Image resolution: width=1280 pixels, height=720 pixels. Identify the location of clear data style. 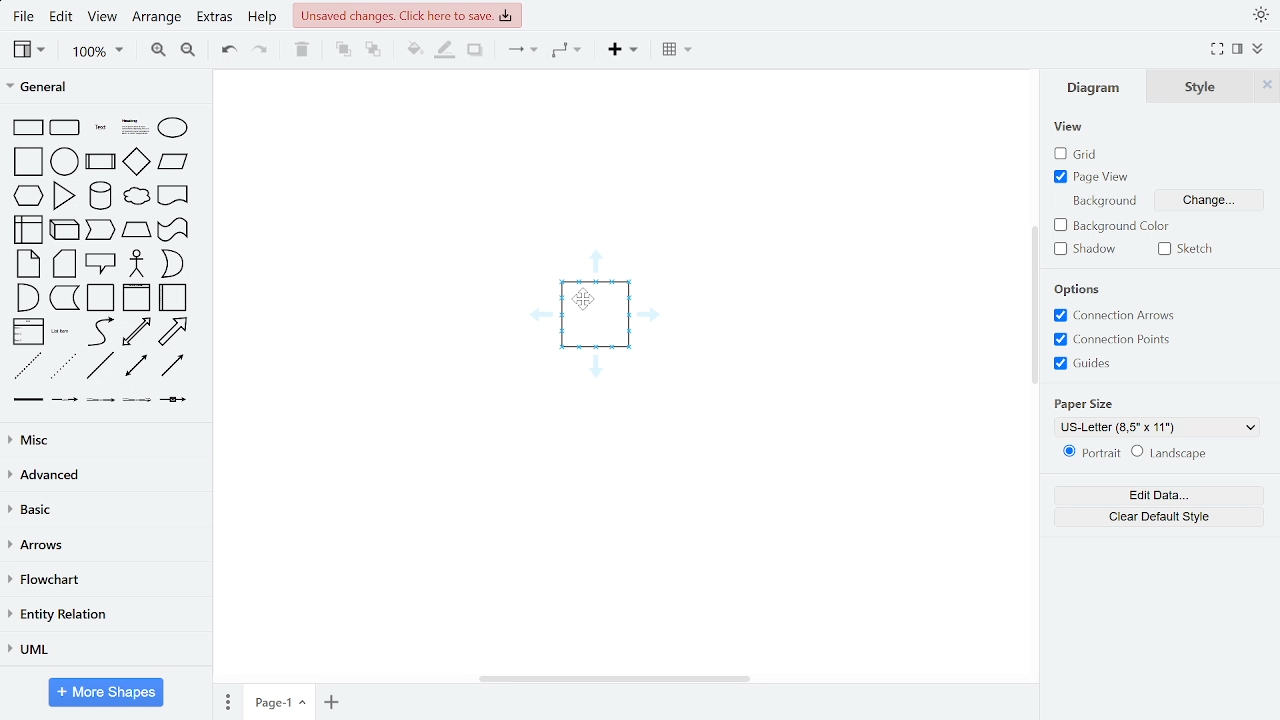
(1147, 516).